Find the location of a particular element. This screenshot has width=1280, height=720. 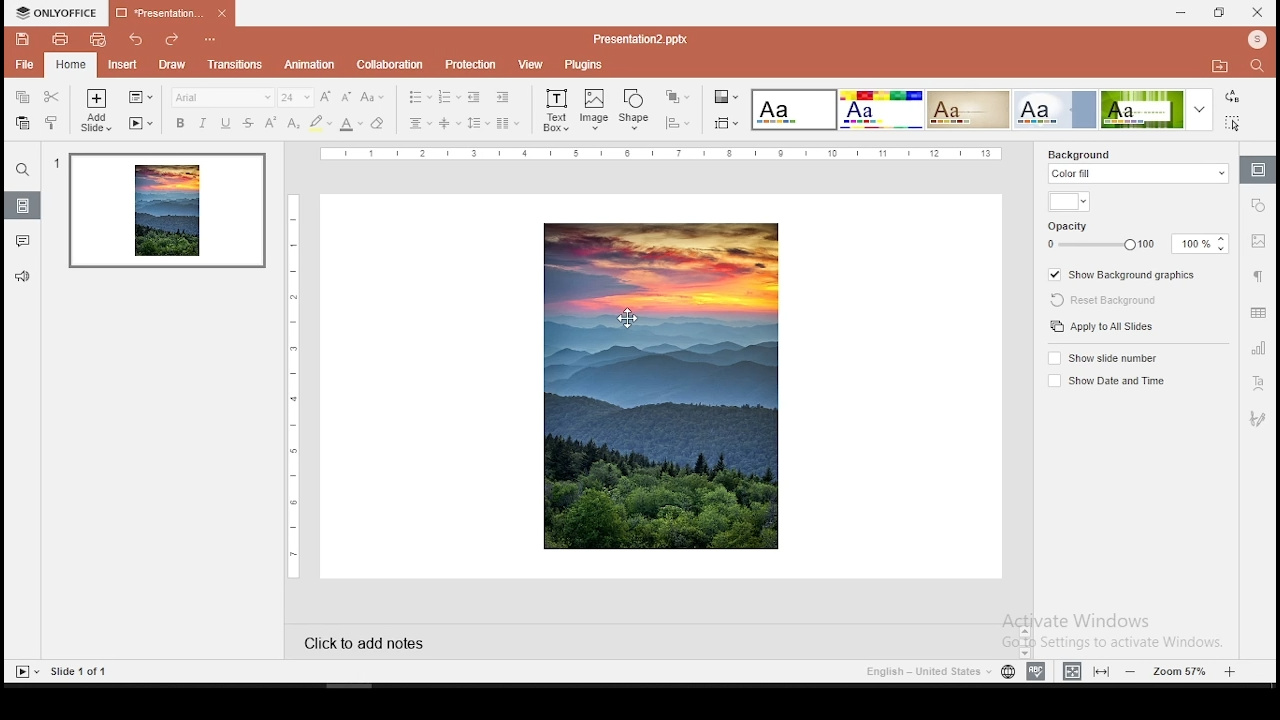

select all is located at coordinates (1232, 123).